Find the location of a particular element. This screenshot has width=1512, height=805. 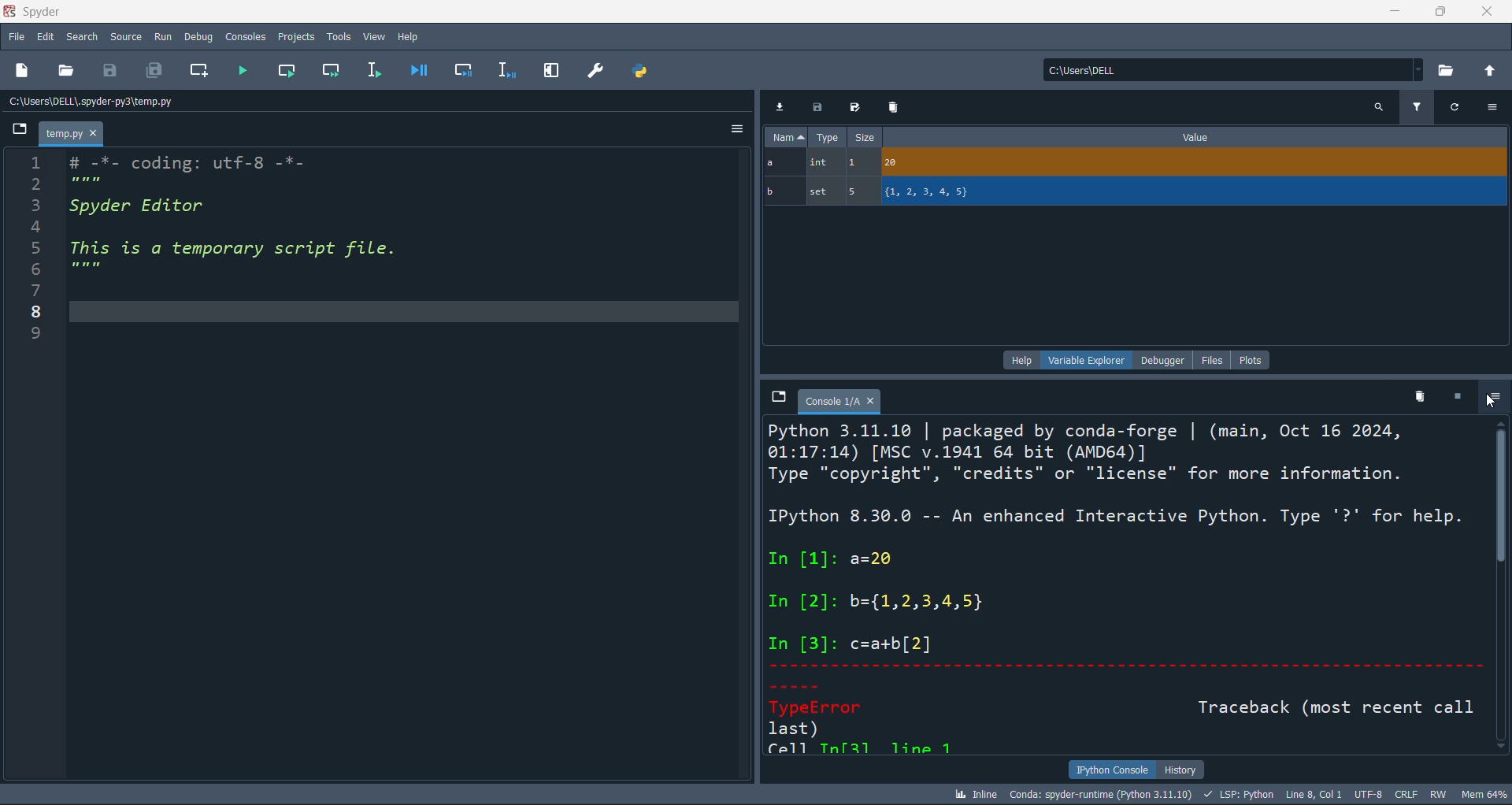

Spyder is located at coordinates (86, 12).